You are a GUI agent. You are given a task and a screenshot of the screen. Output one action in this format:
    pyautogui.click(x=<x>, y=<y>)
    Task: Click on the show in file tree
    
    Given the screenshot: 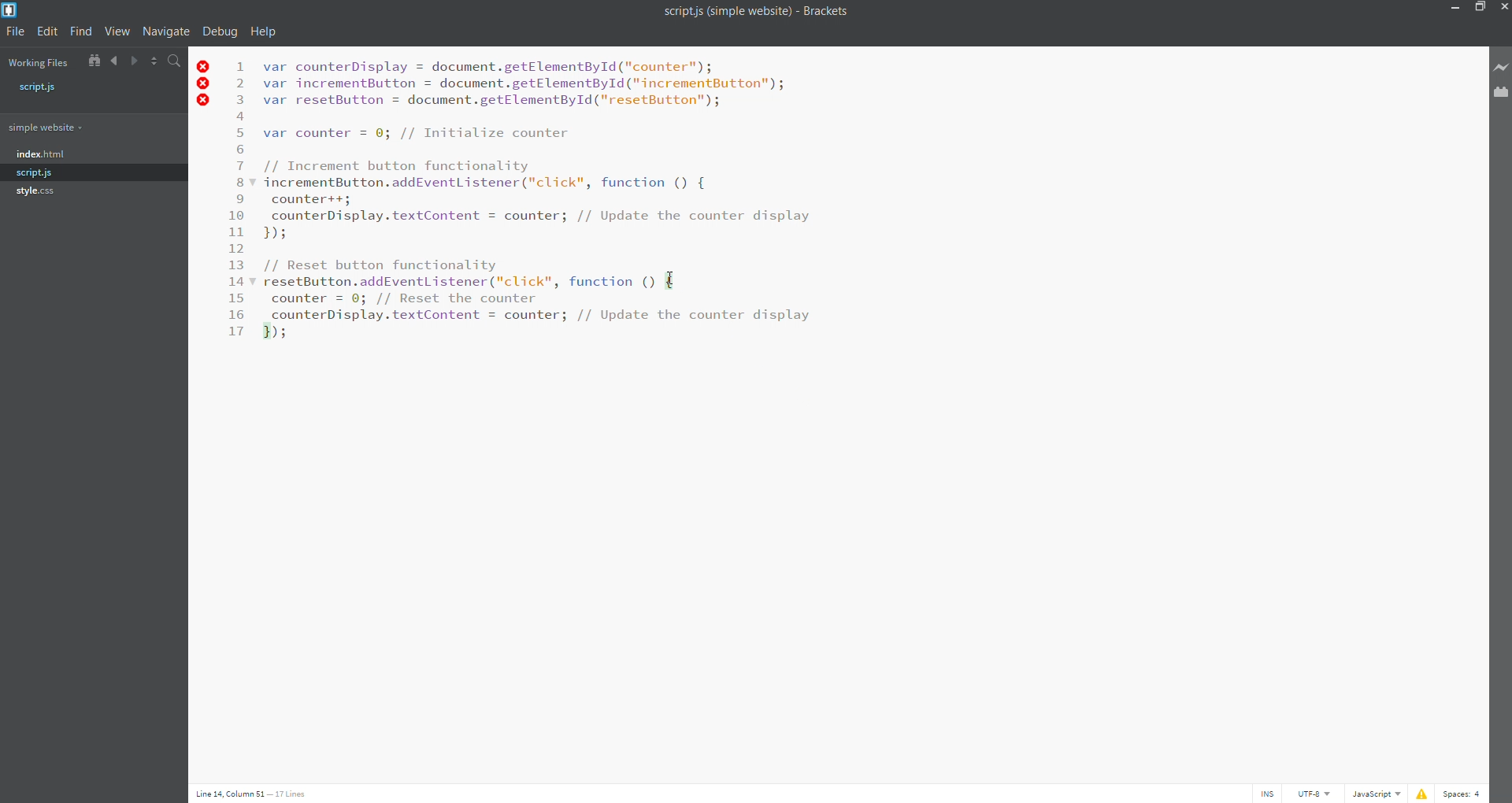 What is the action you would take?
    pyautogui.click(x=90, y=59)
    